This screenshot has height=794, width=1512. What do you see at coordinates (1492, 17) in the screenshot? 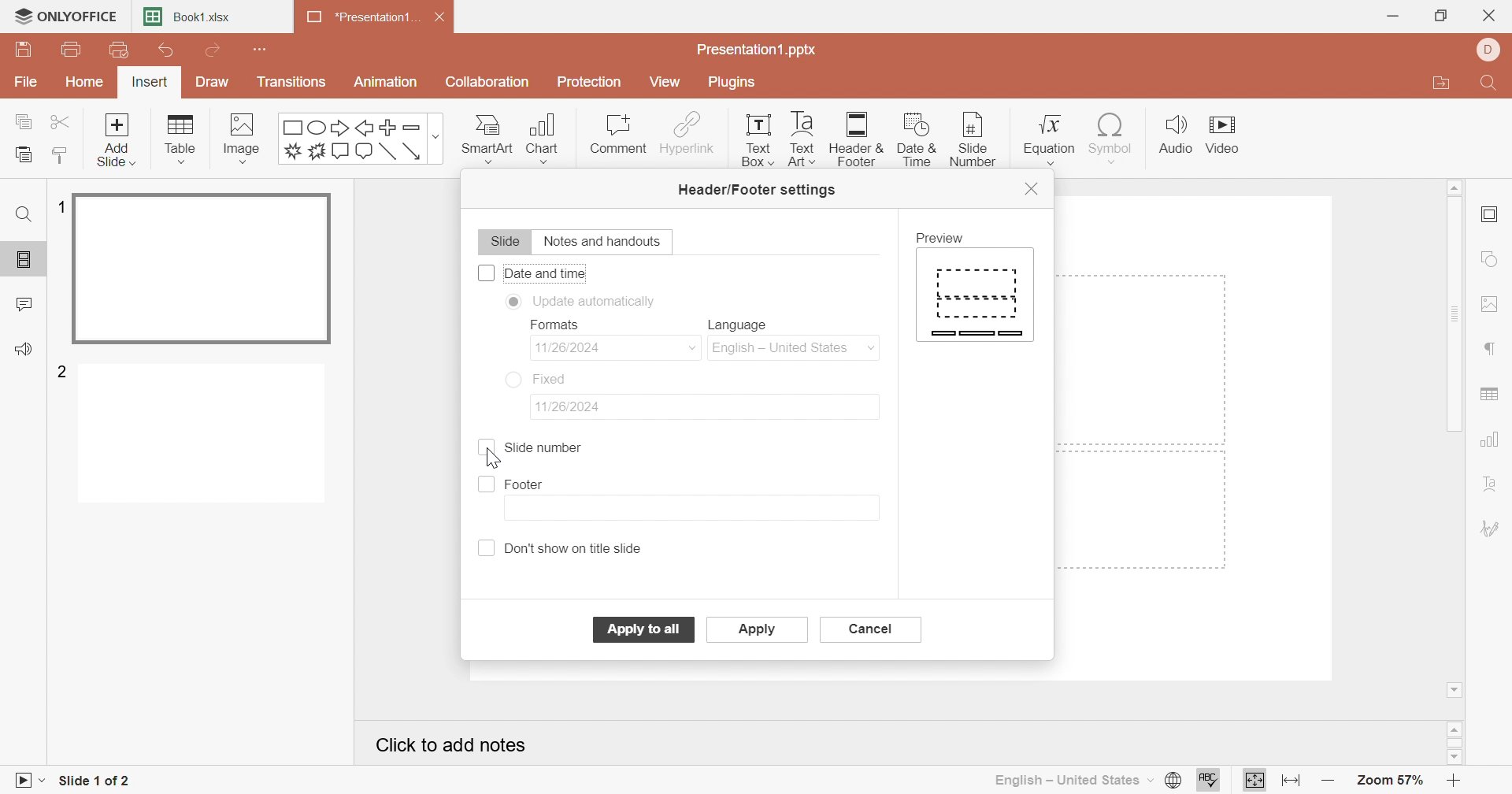
I see `Close` at bounding box center [1492, 17].